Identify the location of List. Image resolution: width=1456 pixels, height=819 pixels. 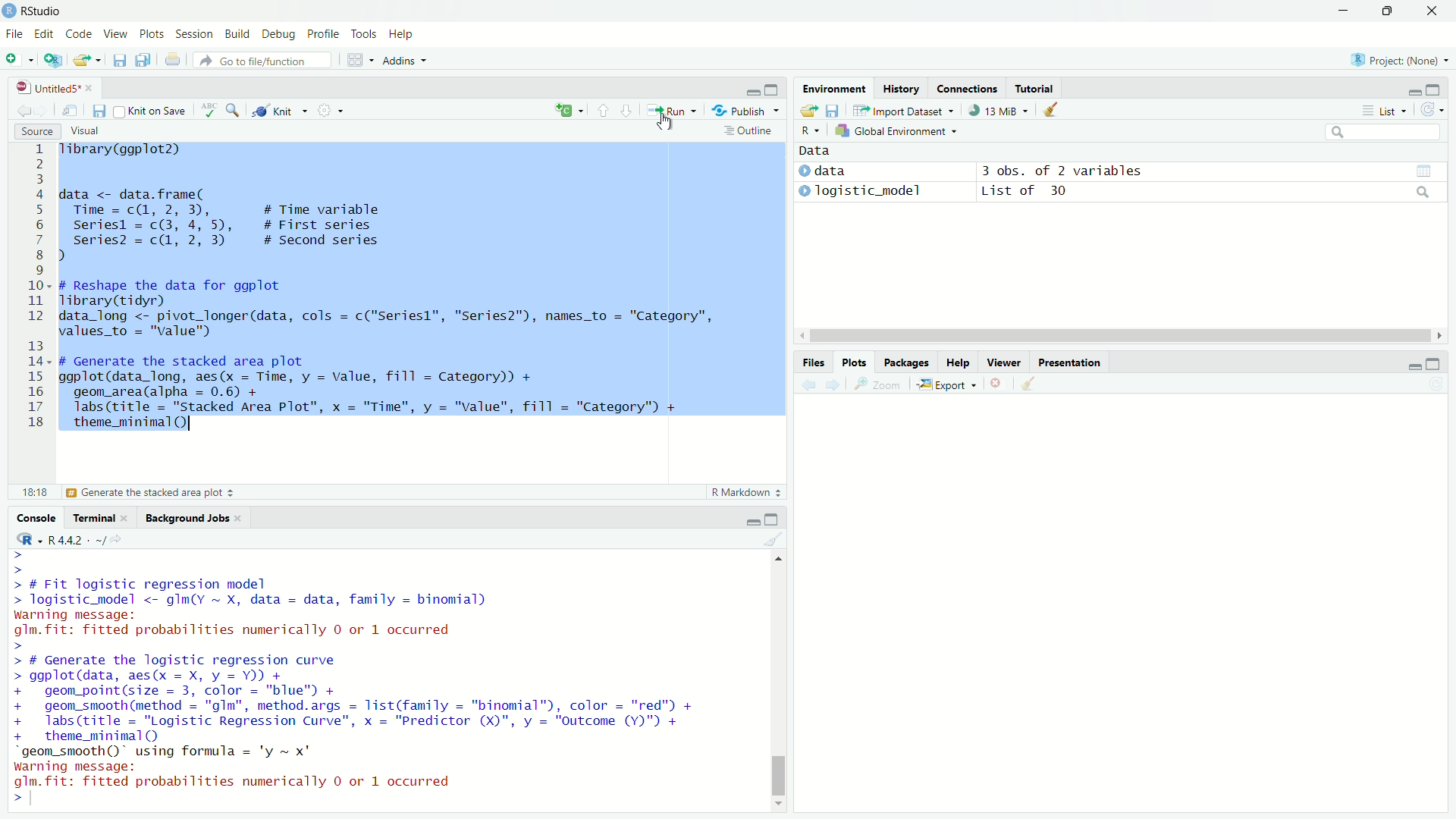
(1387, 111).